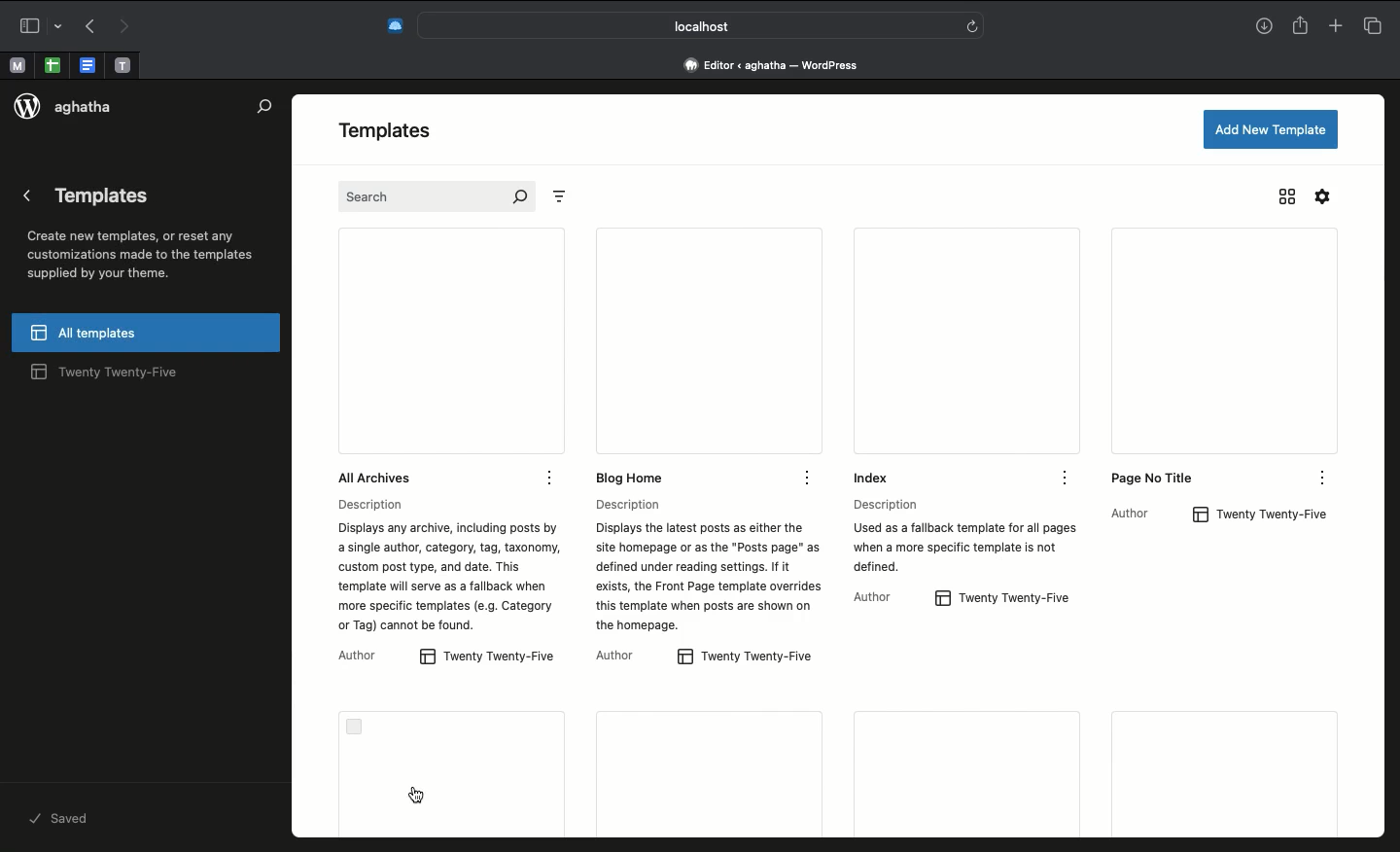 The height and width of the screenshot is (852, 1400). What do you see at coordinates (973, 774) in the screenshot?
I see `More templates` at bounding box center [973, 774].